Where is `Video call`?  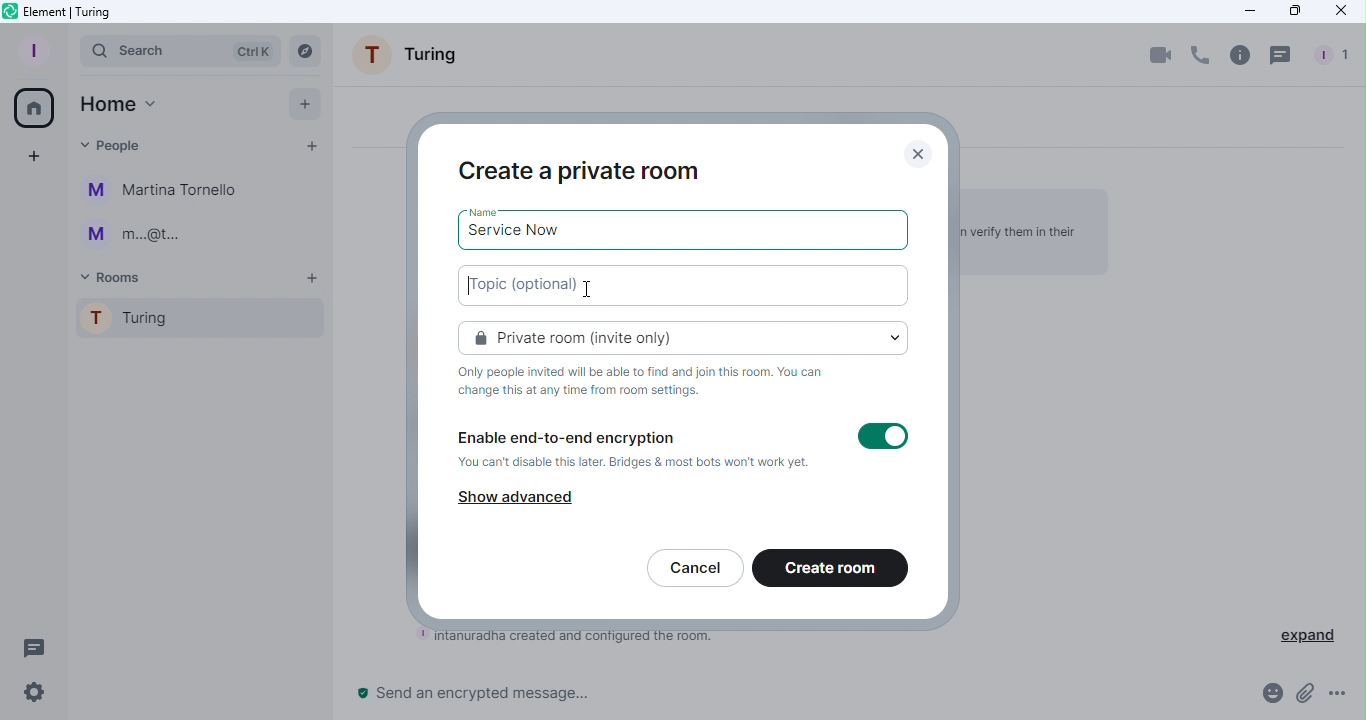
Video call is located at coordinates (1161, 54).